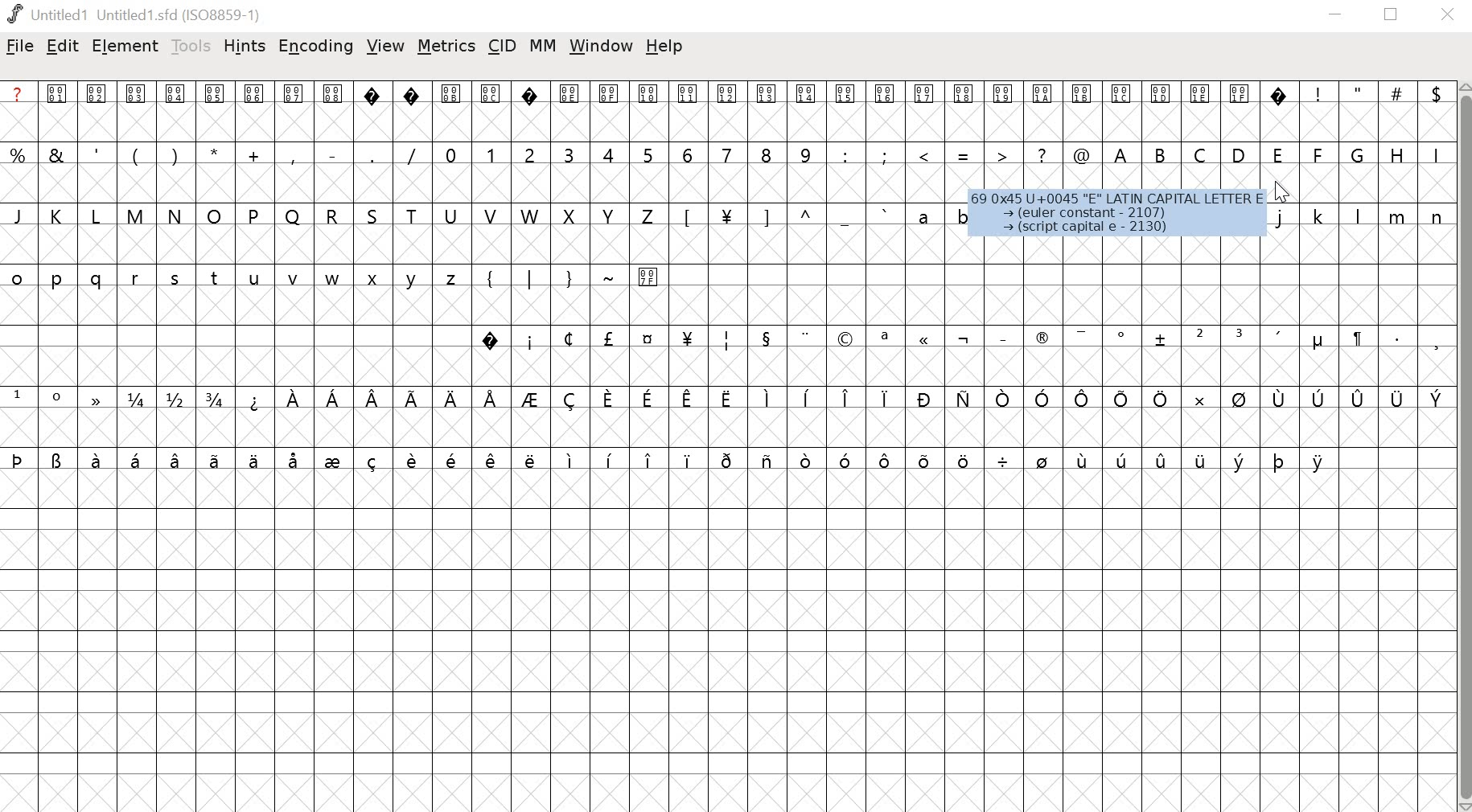  Describe the element at coordinates (122, 45) in the screenshot. I see `element` at that location.